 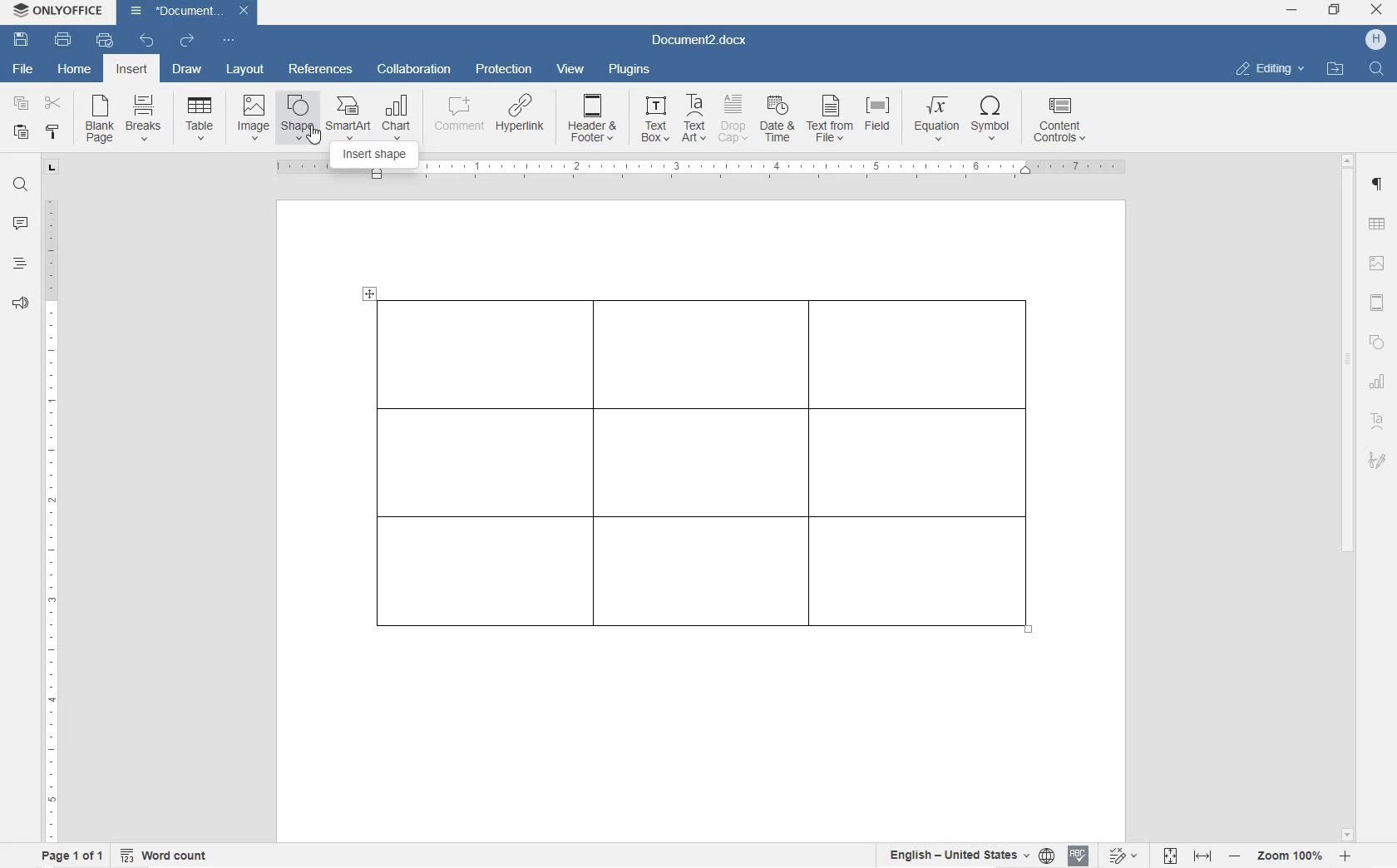 I want to click on page 1 of 1, so click(x=70, y=856).